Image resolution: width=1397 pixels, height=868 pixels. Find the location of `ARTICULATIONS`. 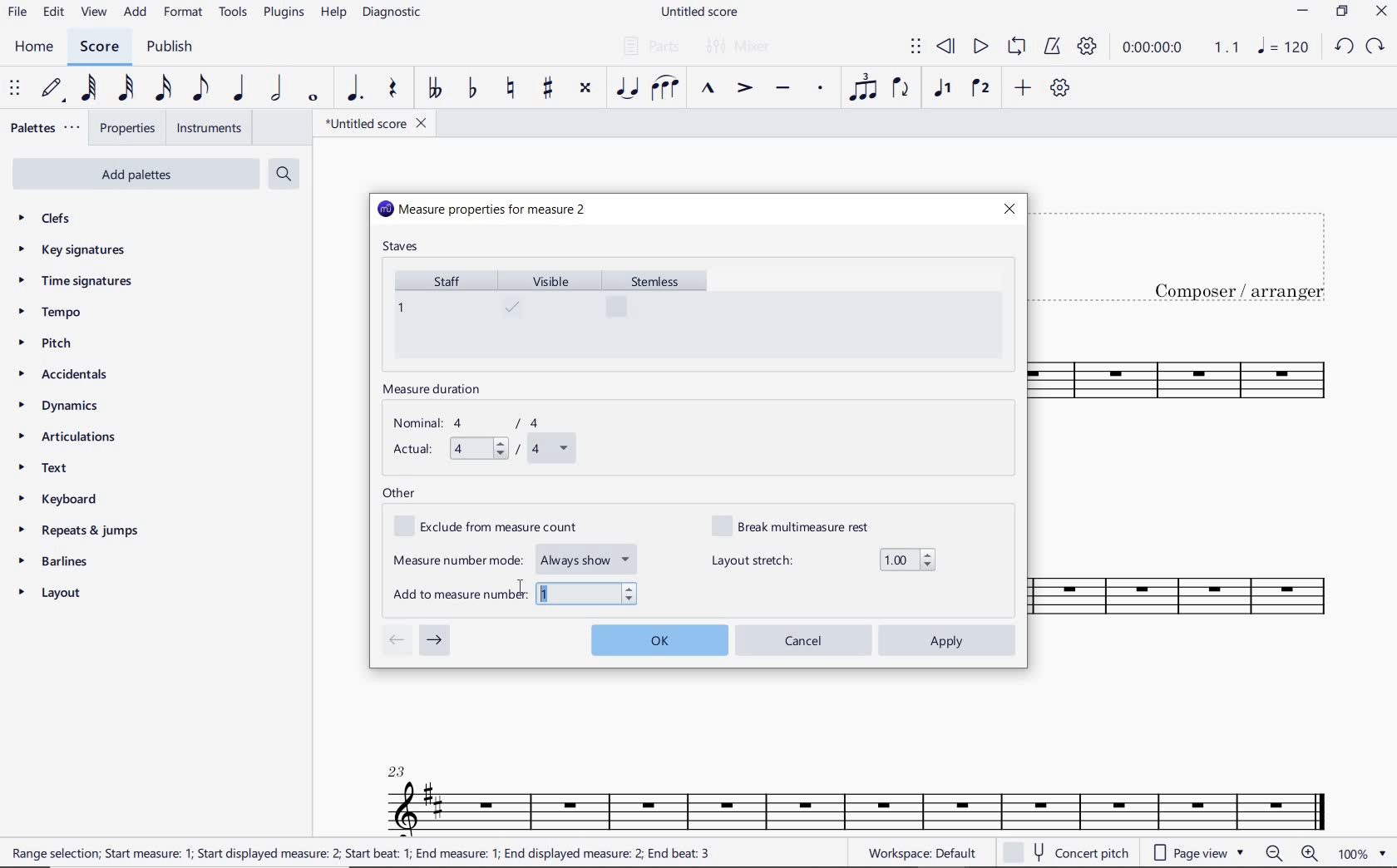

ARTICULATIONS is located at coordinates (68, 438).